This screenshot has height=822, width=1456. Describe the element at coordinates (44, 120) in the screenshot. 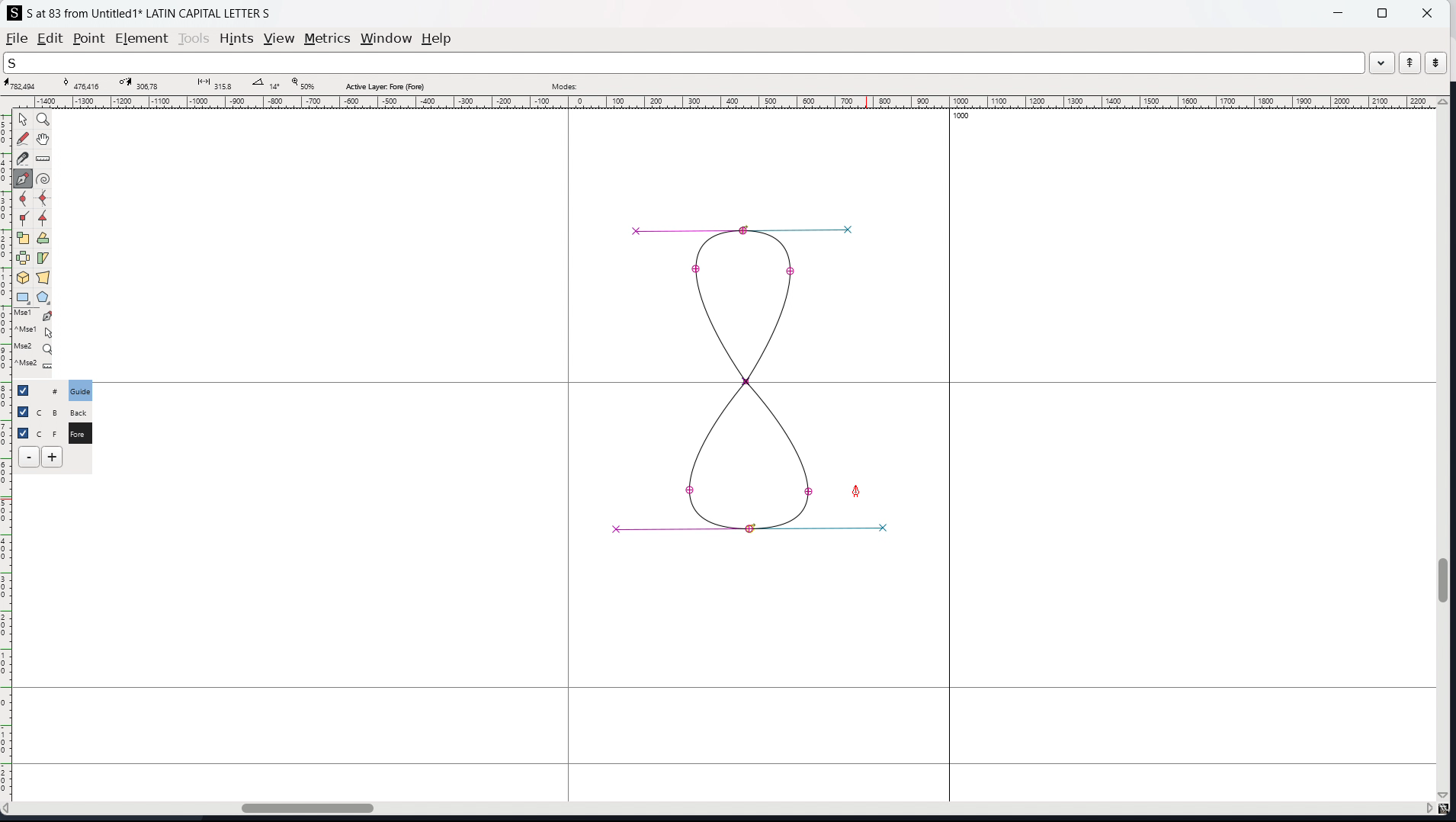

I see `magnify` at that location.